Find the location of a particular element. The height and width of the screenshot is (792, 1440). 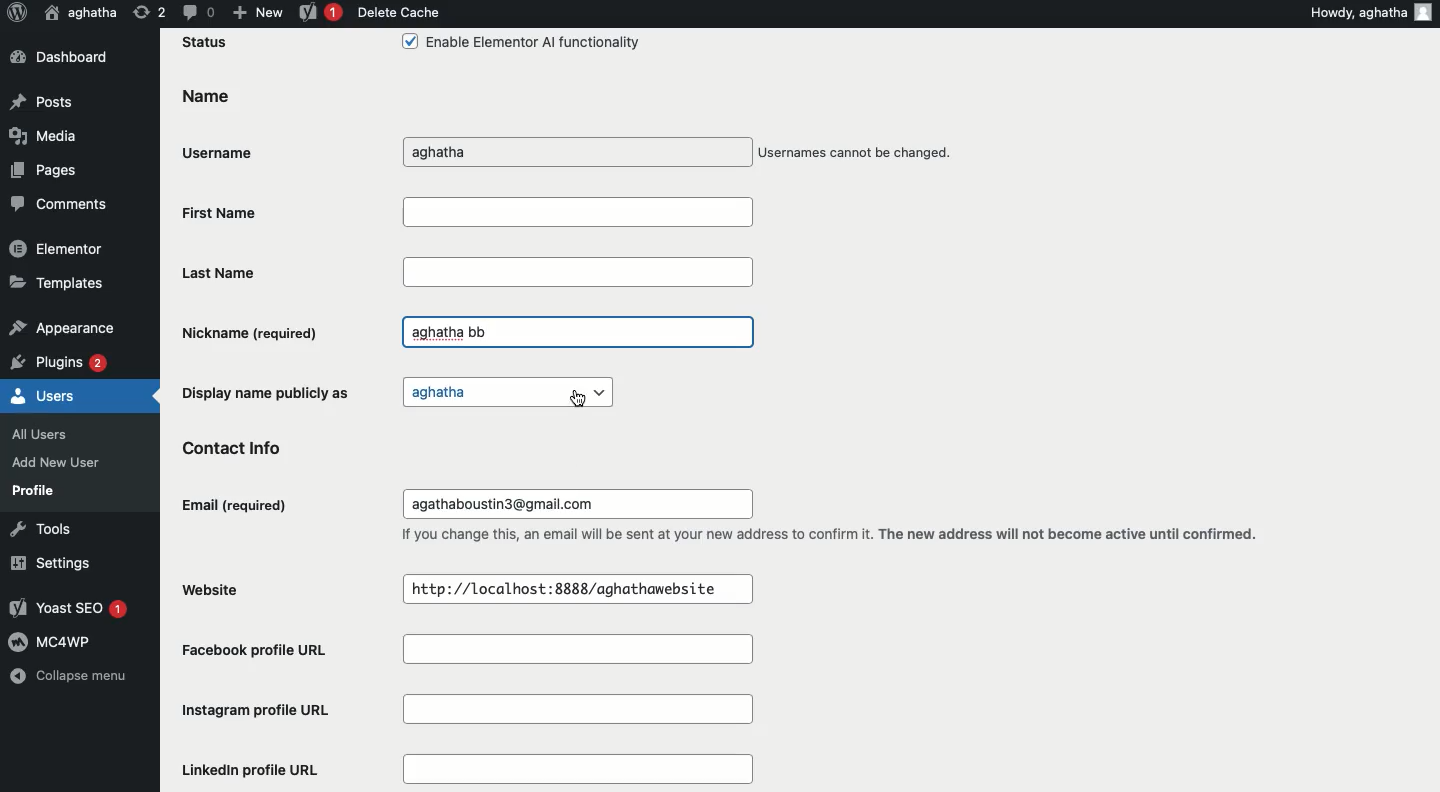

First Name is located at coordinates (465, 211).